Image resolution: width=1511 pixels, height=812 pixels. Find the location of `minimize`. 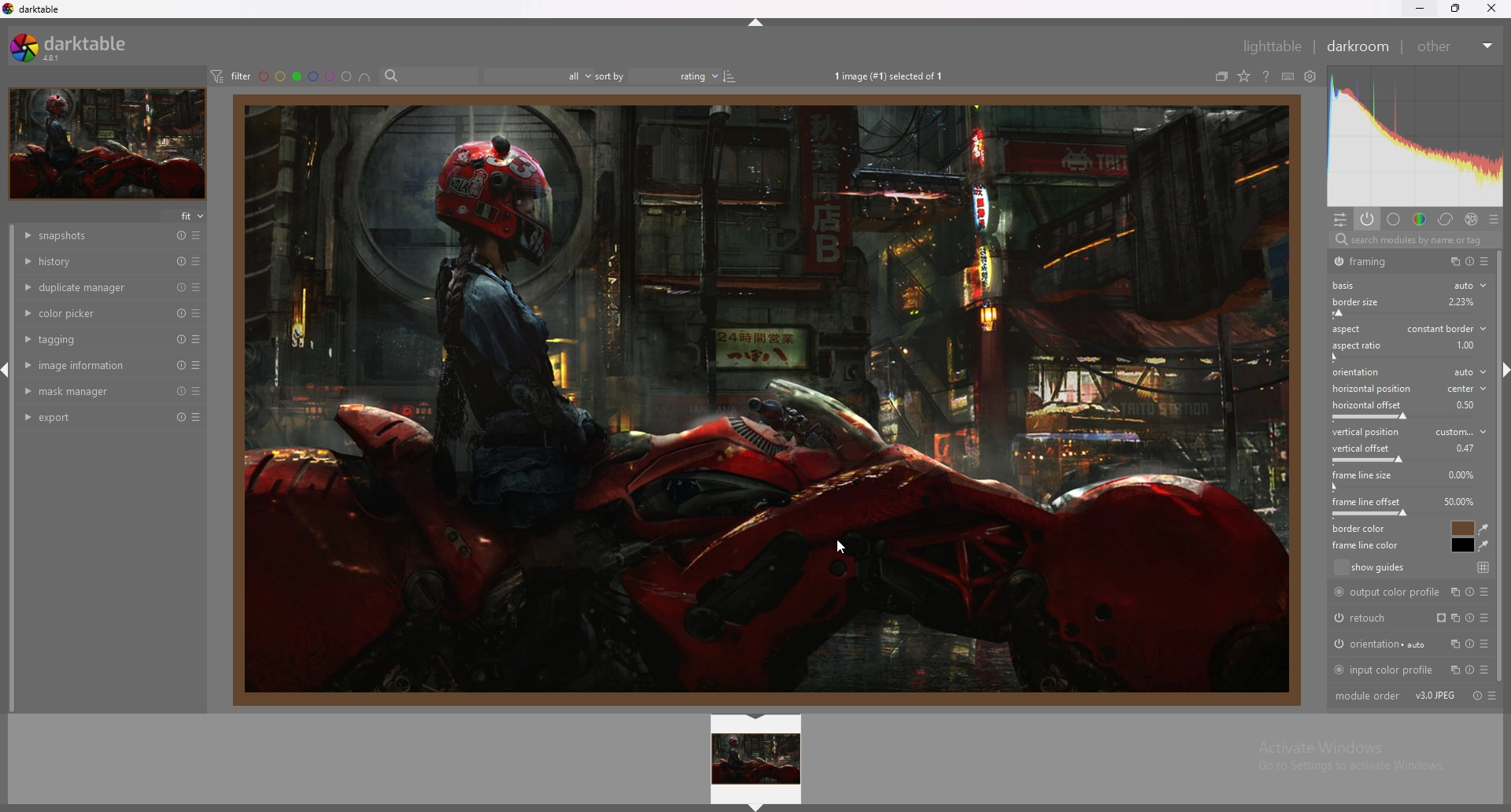

minimize is located at coordinates (1420, 7).